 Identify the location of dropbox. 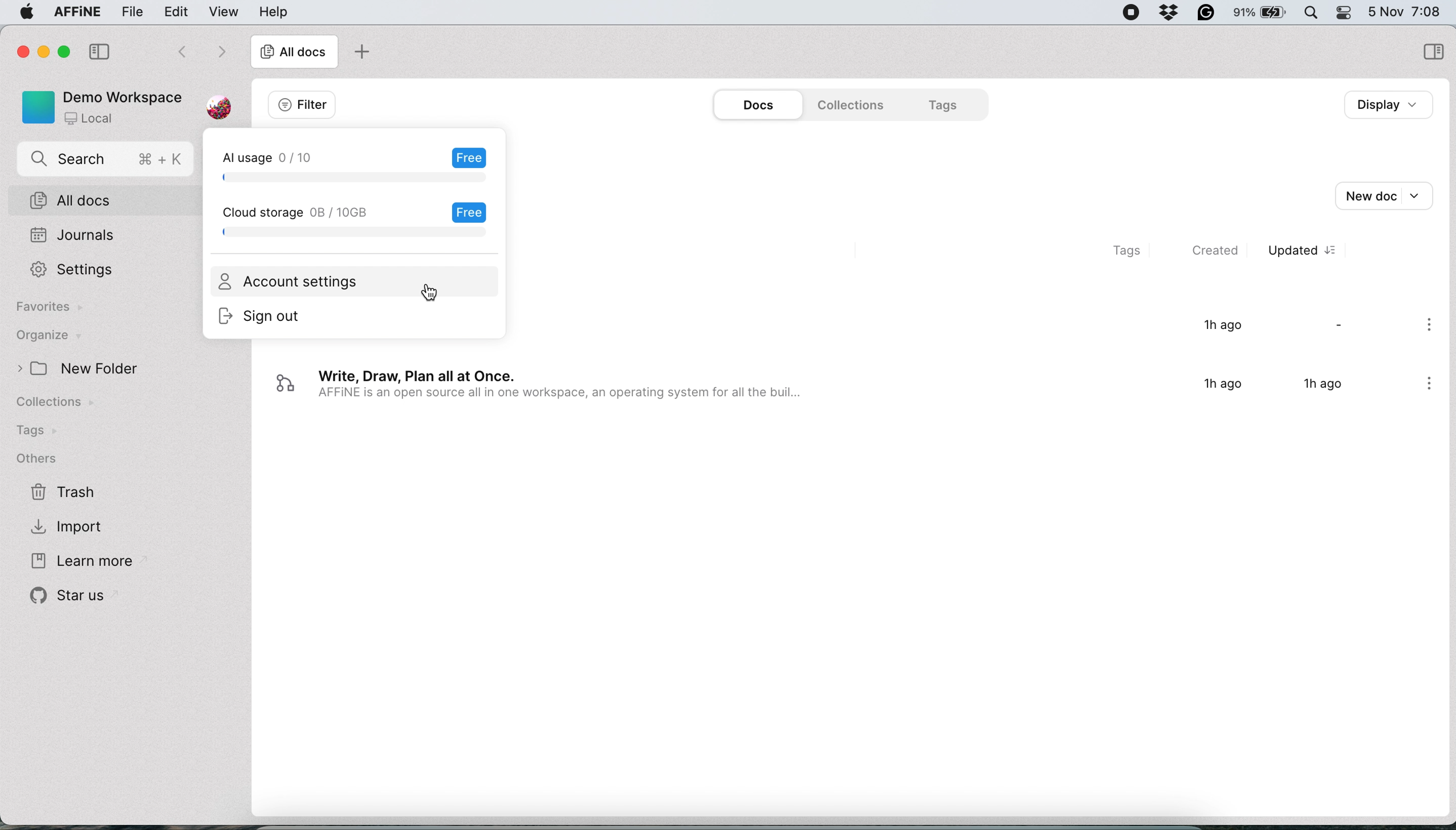
(1170, 14).